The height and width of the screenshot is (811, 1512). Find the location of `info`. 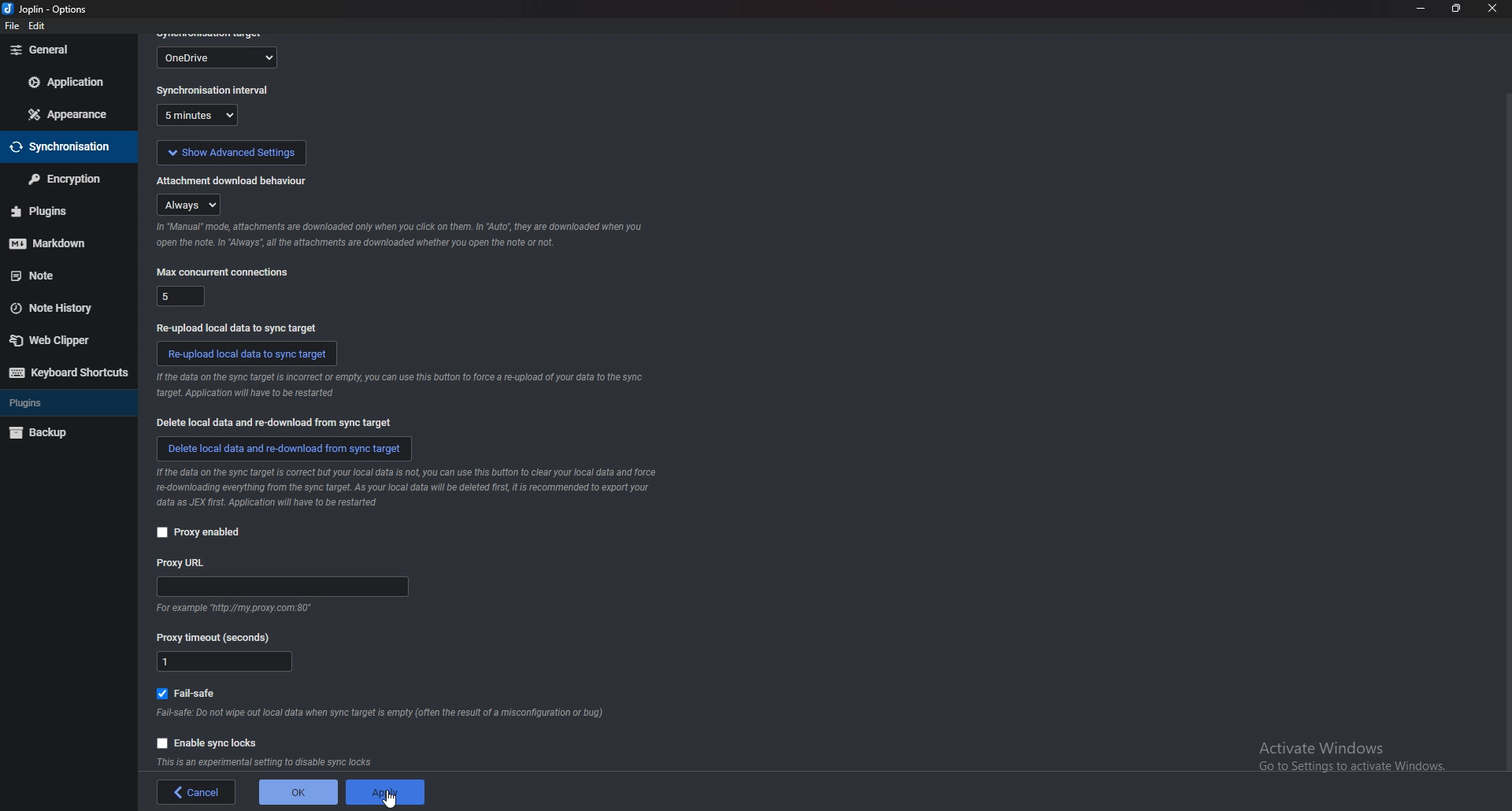

info is located at coordinates (270, 761).